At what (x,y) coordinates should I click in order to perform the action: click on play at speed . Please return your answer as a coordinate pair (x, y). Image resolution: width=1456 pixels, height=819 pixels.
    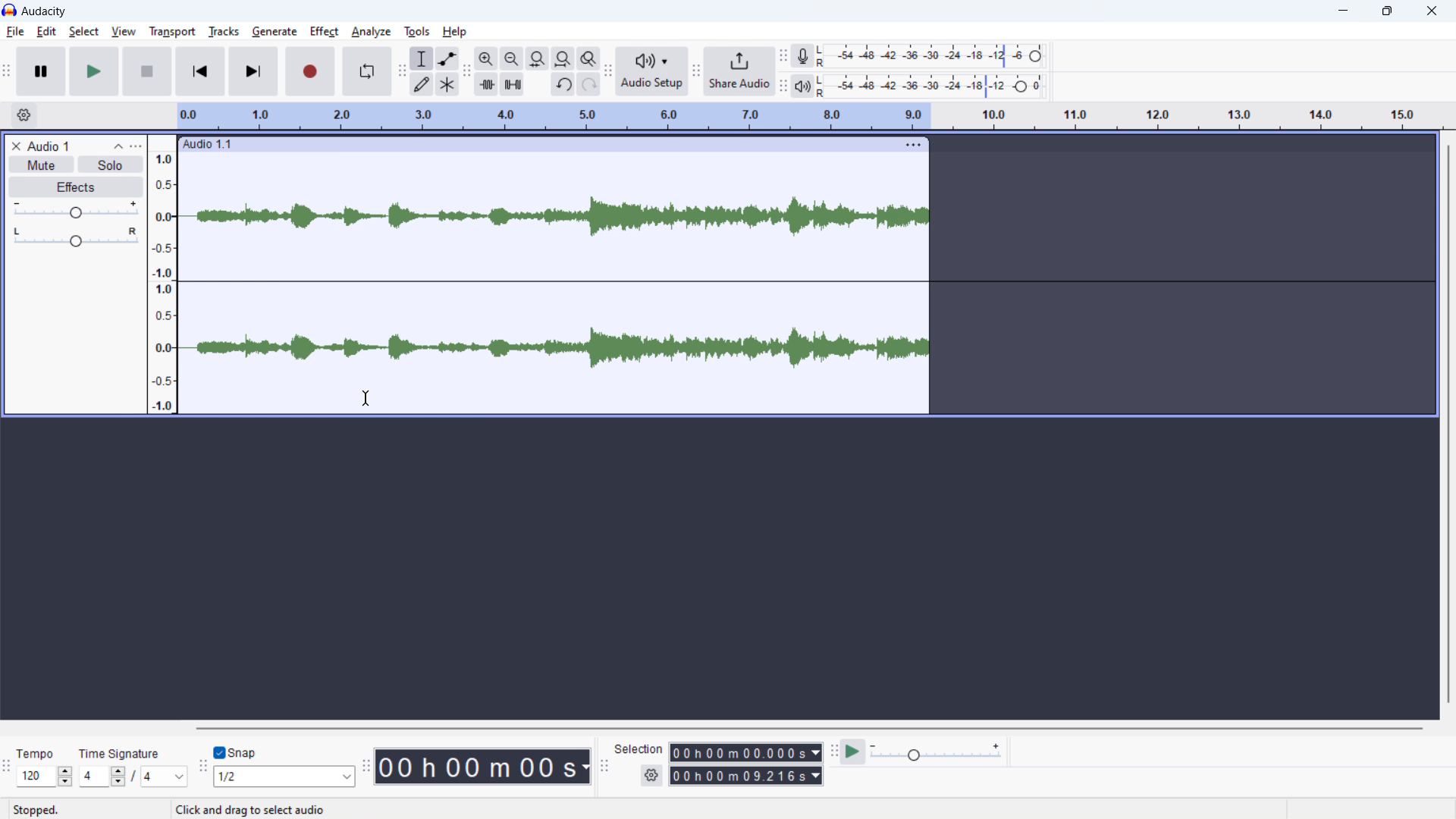
    Looking at the image, I should click on (855, 752).